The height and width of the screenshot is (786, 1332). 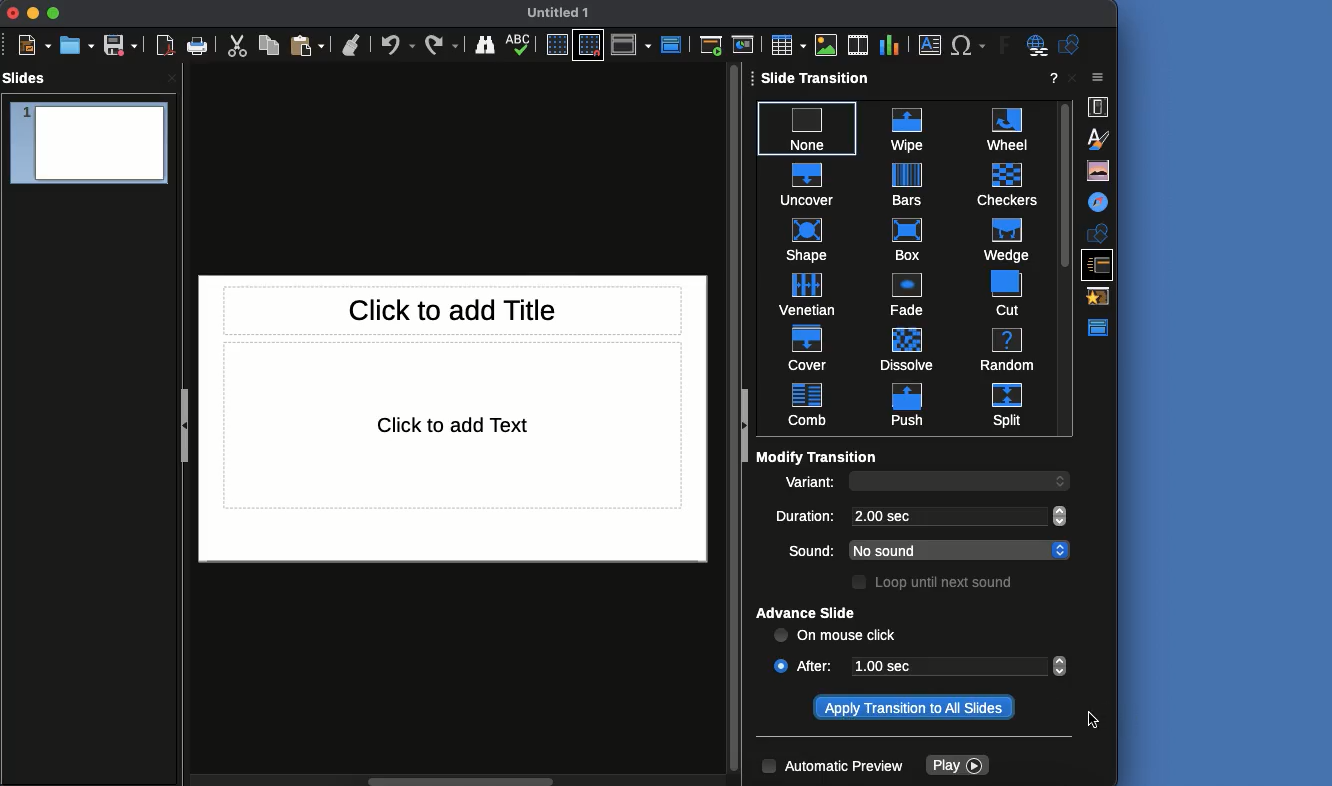 I want to click on Modify transition, so click(x=819, y=456).